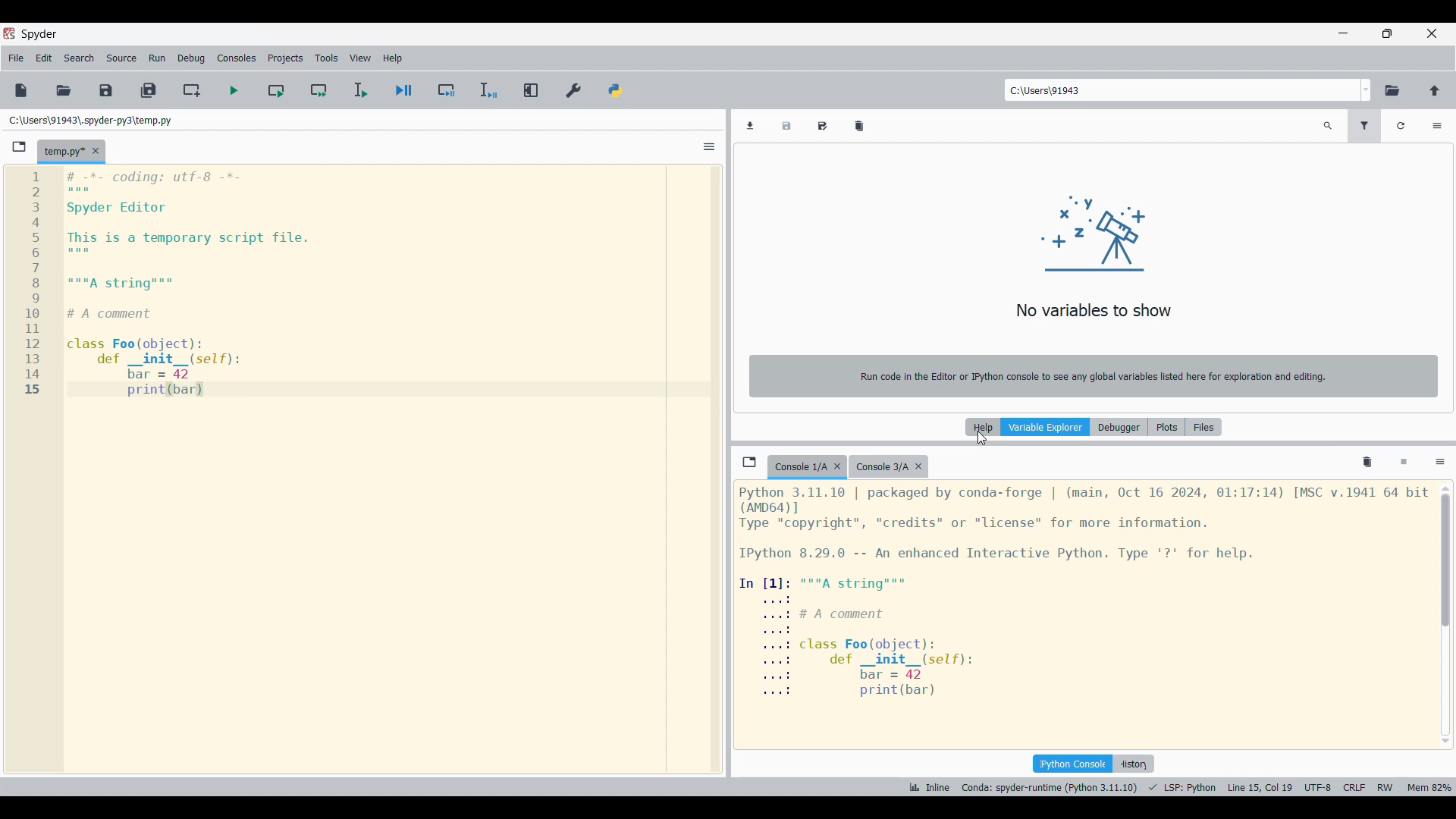 The image size is (1456, 819). Describe the element at coordinates (320, 90) in the screenshot. I see `Run current cell and go to next` at that location.